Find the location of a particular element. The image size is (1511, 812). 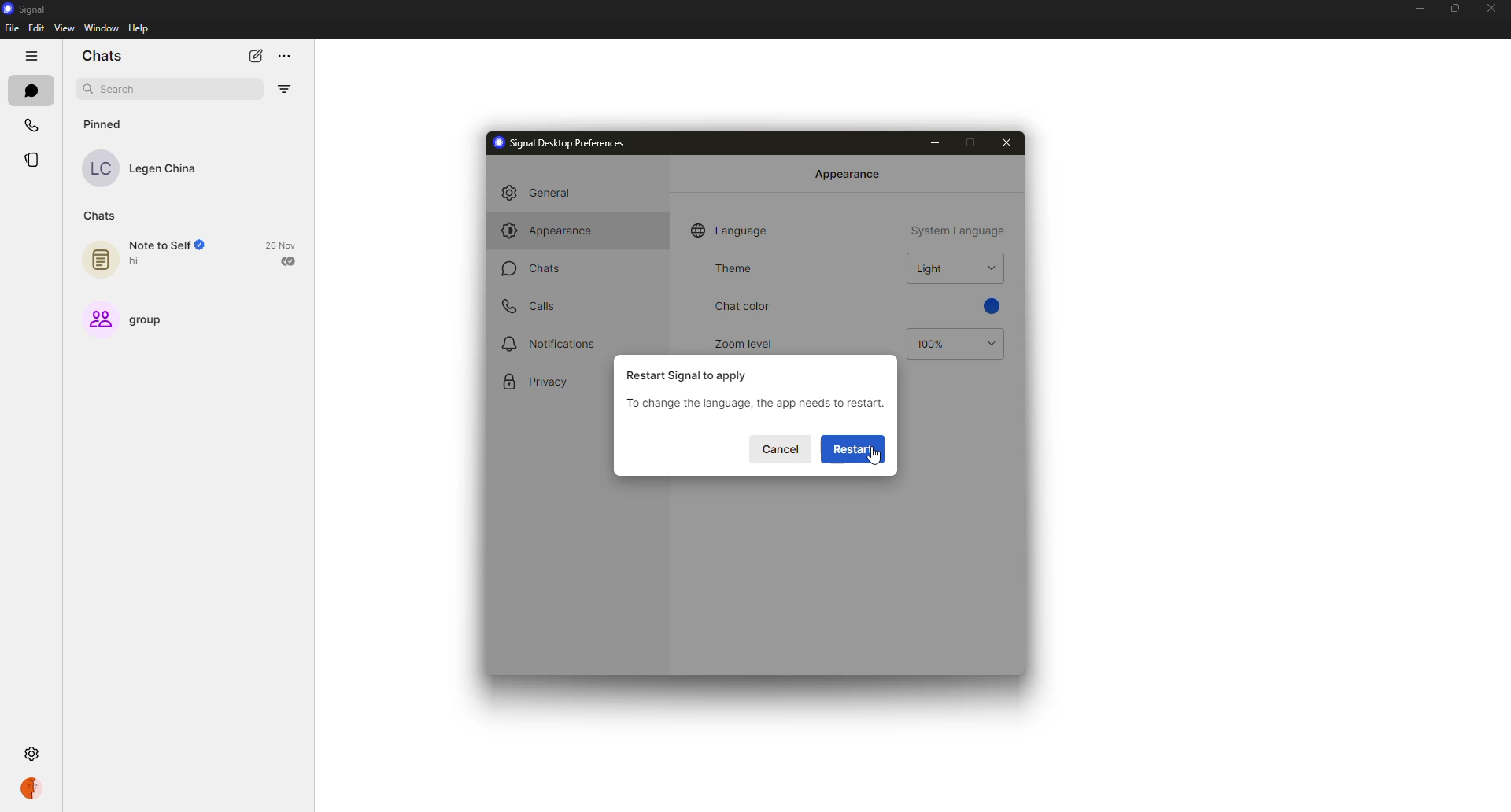

maximize is located at coordinates (970, 140).